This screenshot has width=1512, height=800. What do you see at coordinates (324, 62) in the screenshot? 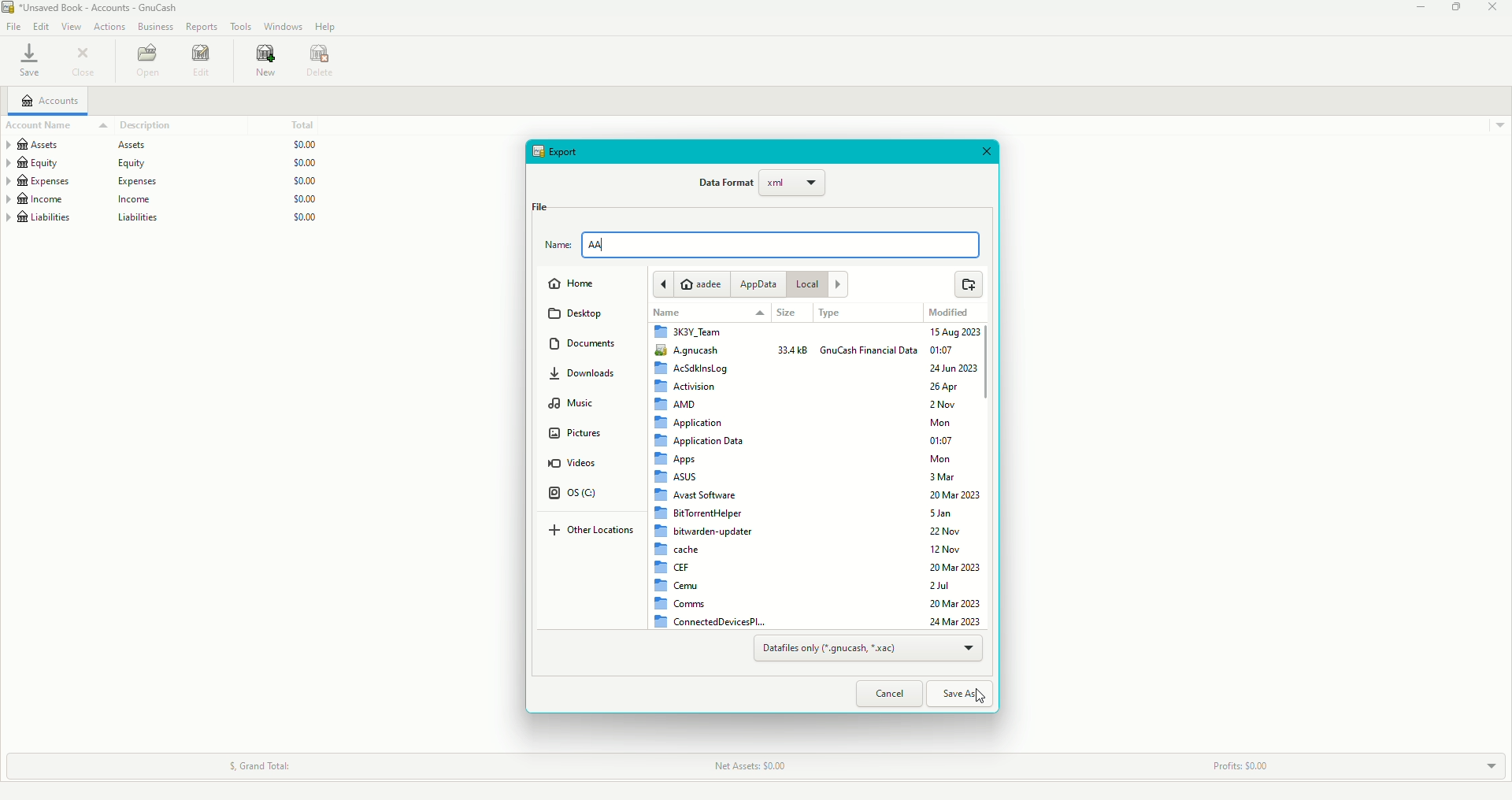
I see `Delete` at bounding box center [324, 62].